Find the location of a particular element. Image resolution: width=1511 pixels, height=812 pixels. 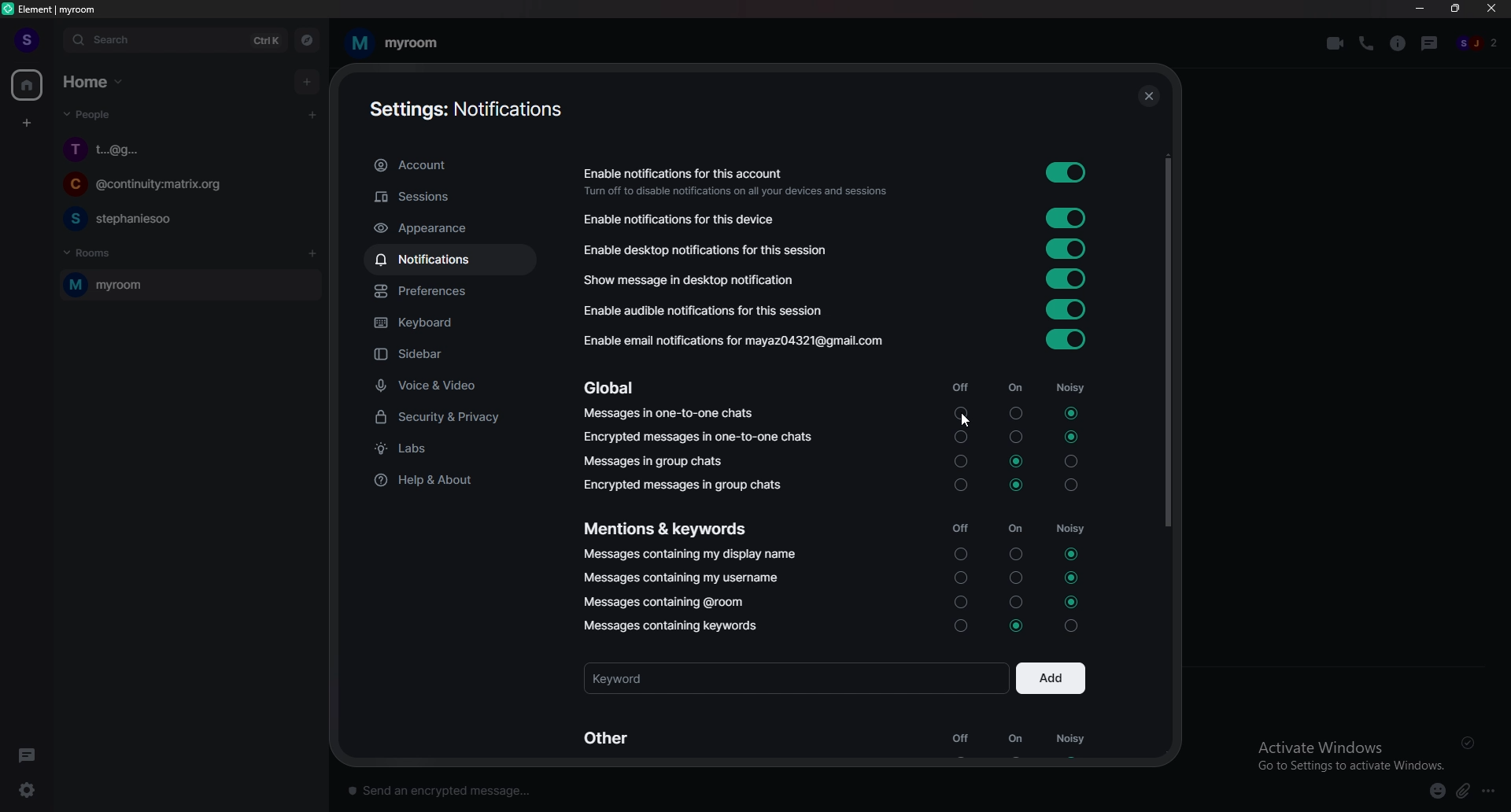

create a space is located at coordinates (27, 124).